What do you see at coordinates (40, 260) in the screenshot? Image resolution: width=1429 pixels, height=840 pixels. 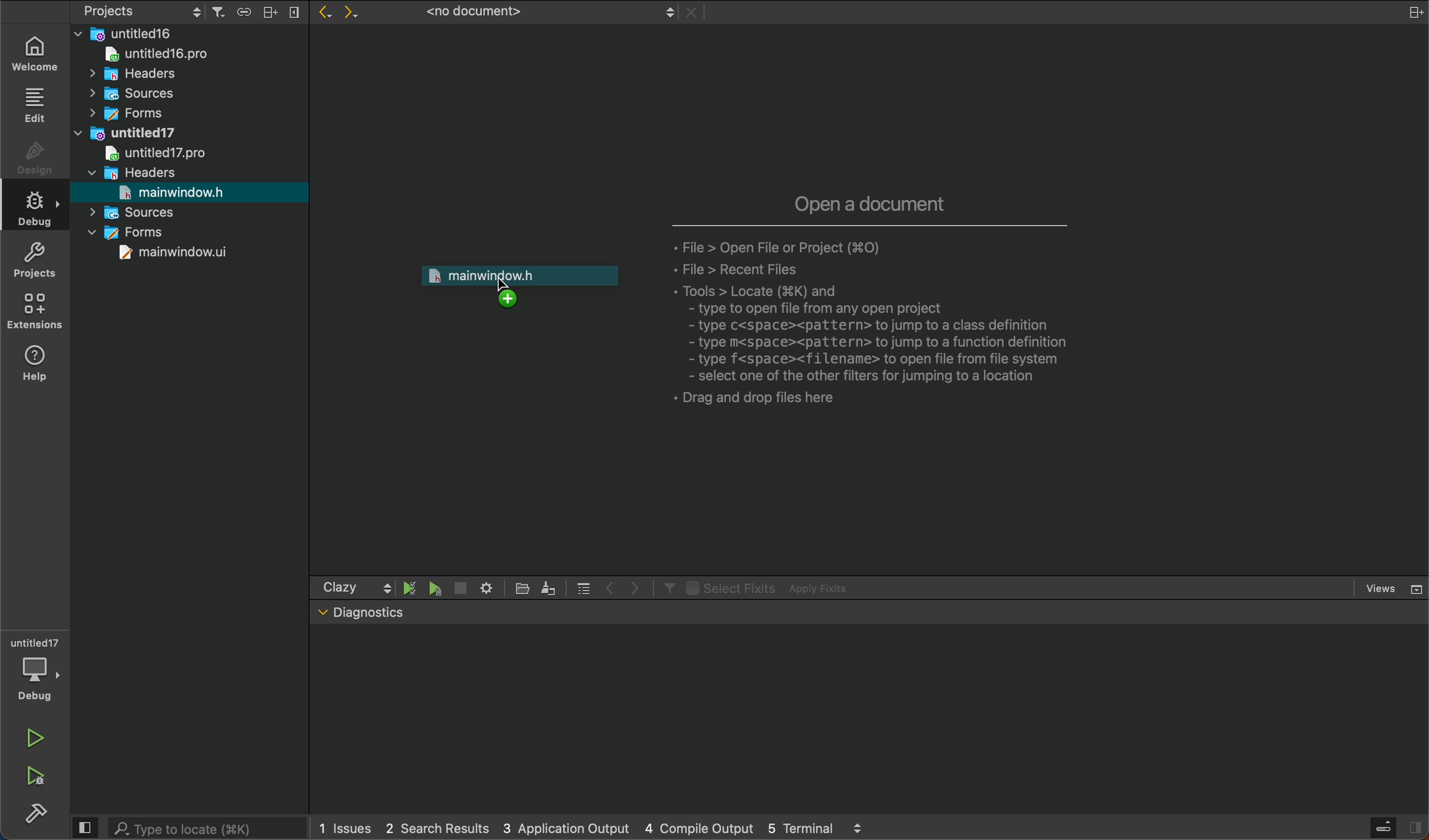 I see `projects` at bounding box center [40, 260].